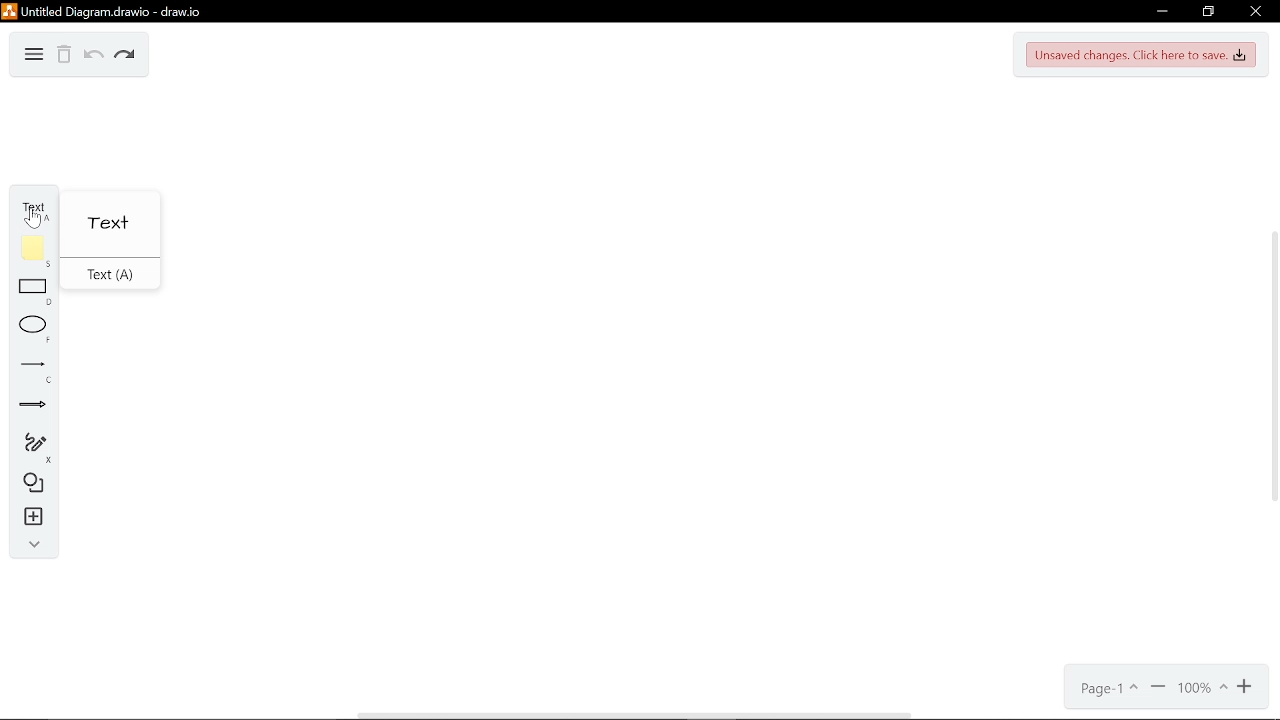 The image size is (1280, 720). Describe the element at coordinates (27, 519) in the screenshot. I see `Insert` at that location.